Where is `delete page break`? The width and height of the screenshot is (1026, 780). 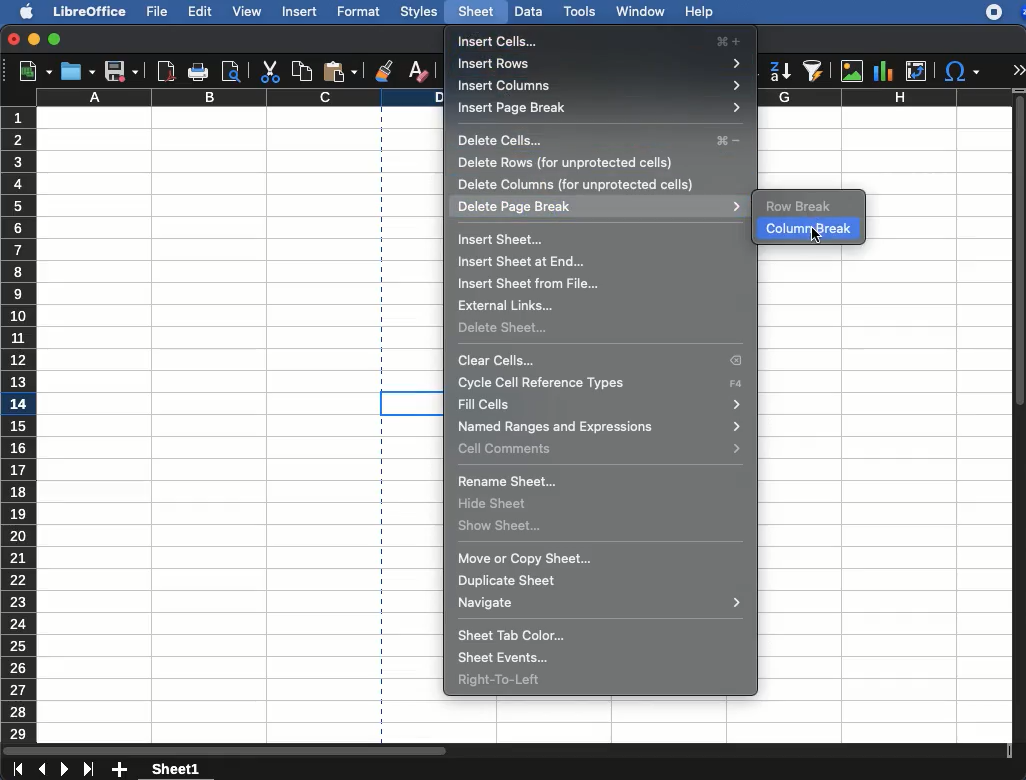
delete page break is located at coordinates (601, 207).